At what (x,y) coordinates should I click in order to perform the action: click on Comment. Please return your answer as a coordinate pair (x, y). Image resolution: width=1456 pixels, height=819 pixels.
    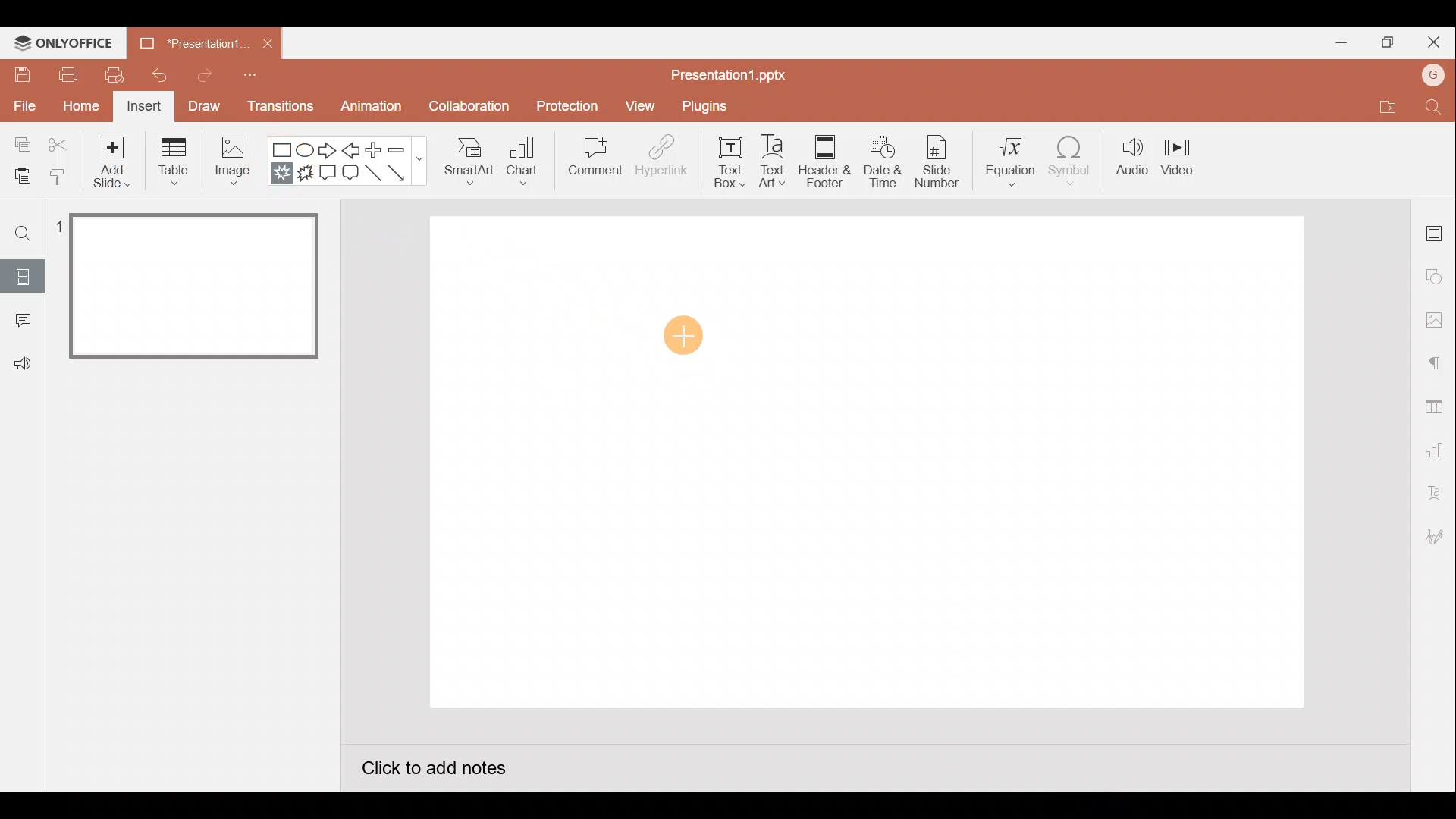
    Looking at the image, I should click on (22, 321).